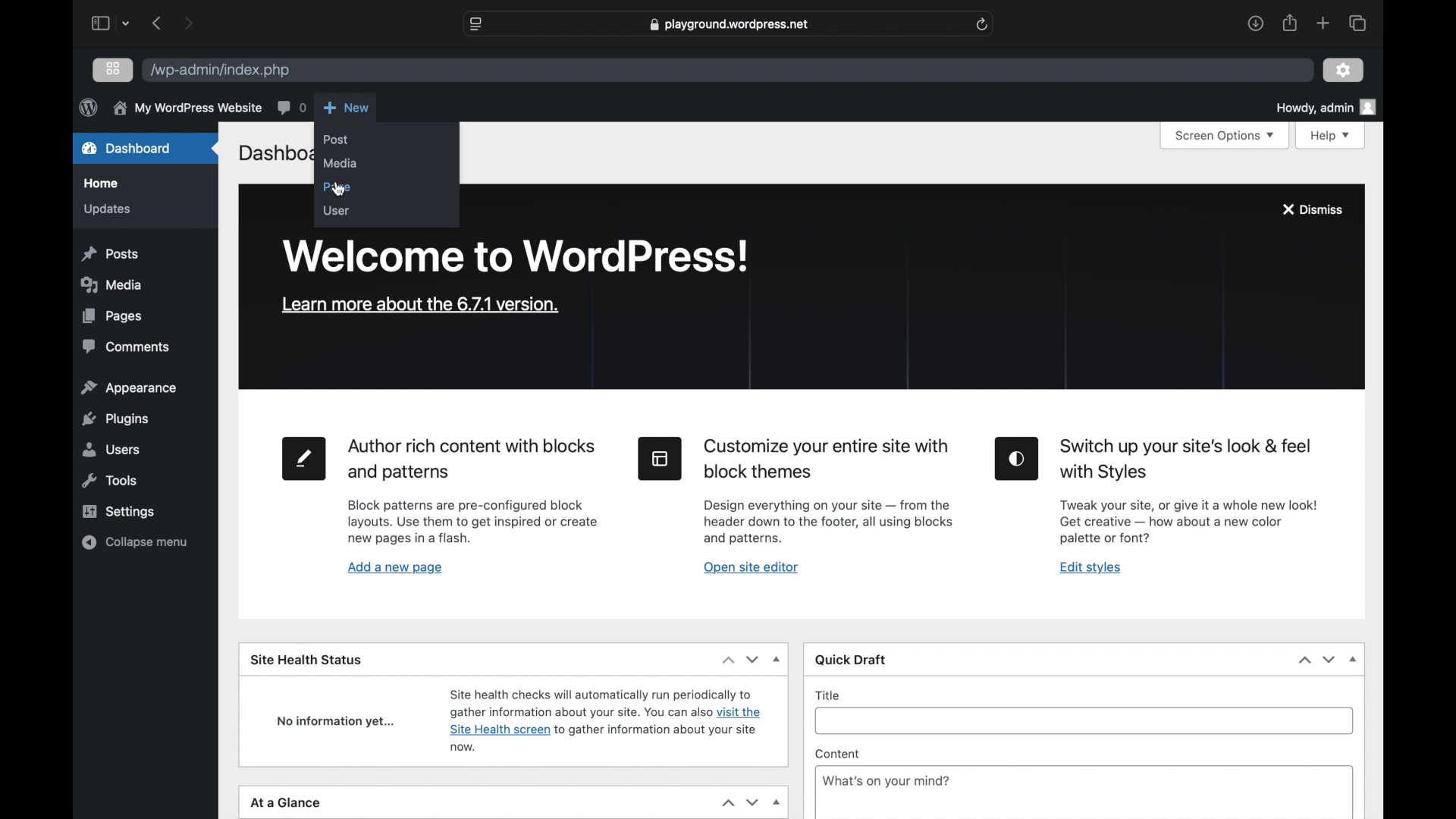 This screenshot has height=819, width=1456. Describe the element at coordinates (476, 24) in the screenshot. I see `website settings` at that location.